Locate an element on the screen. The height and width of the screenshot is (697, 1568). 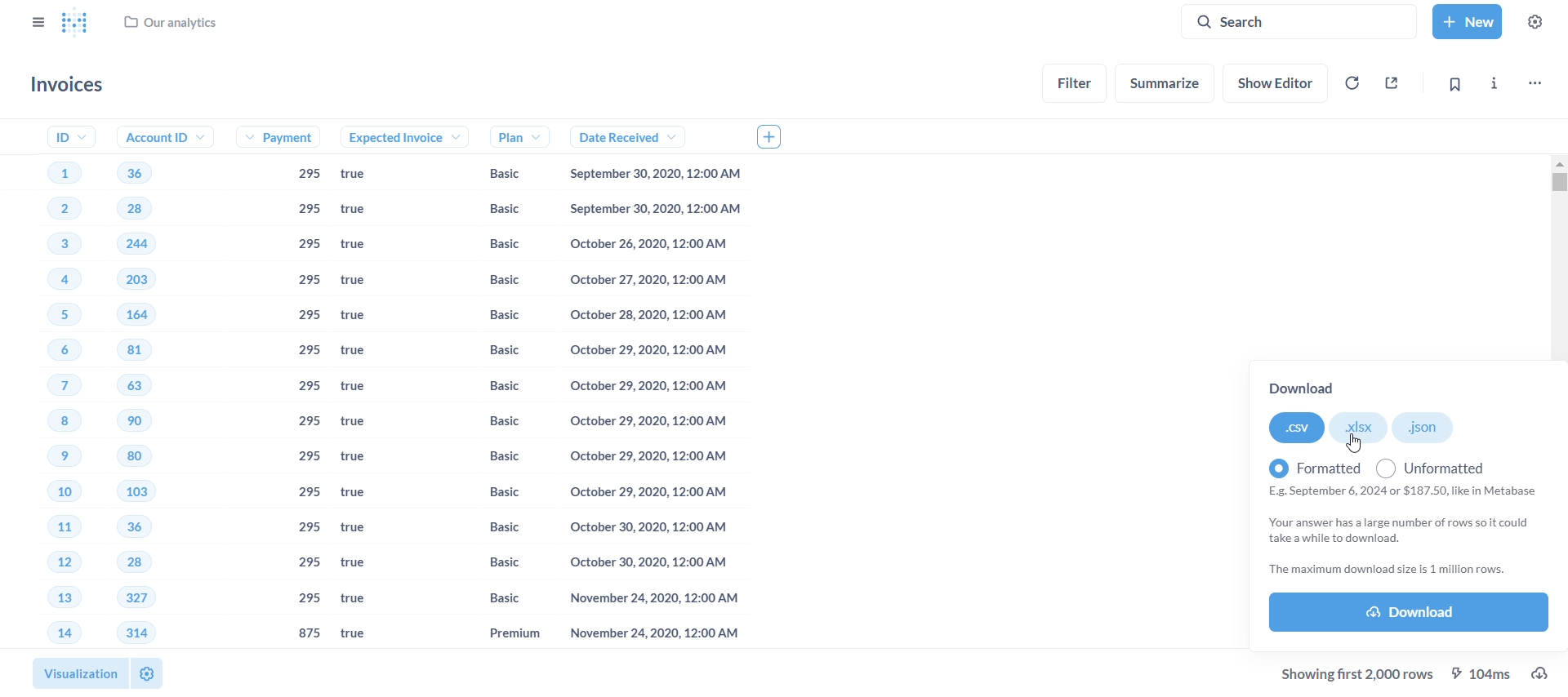
63 is located at coordinates (140, 384).